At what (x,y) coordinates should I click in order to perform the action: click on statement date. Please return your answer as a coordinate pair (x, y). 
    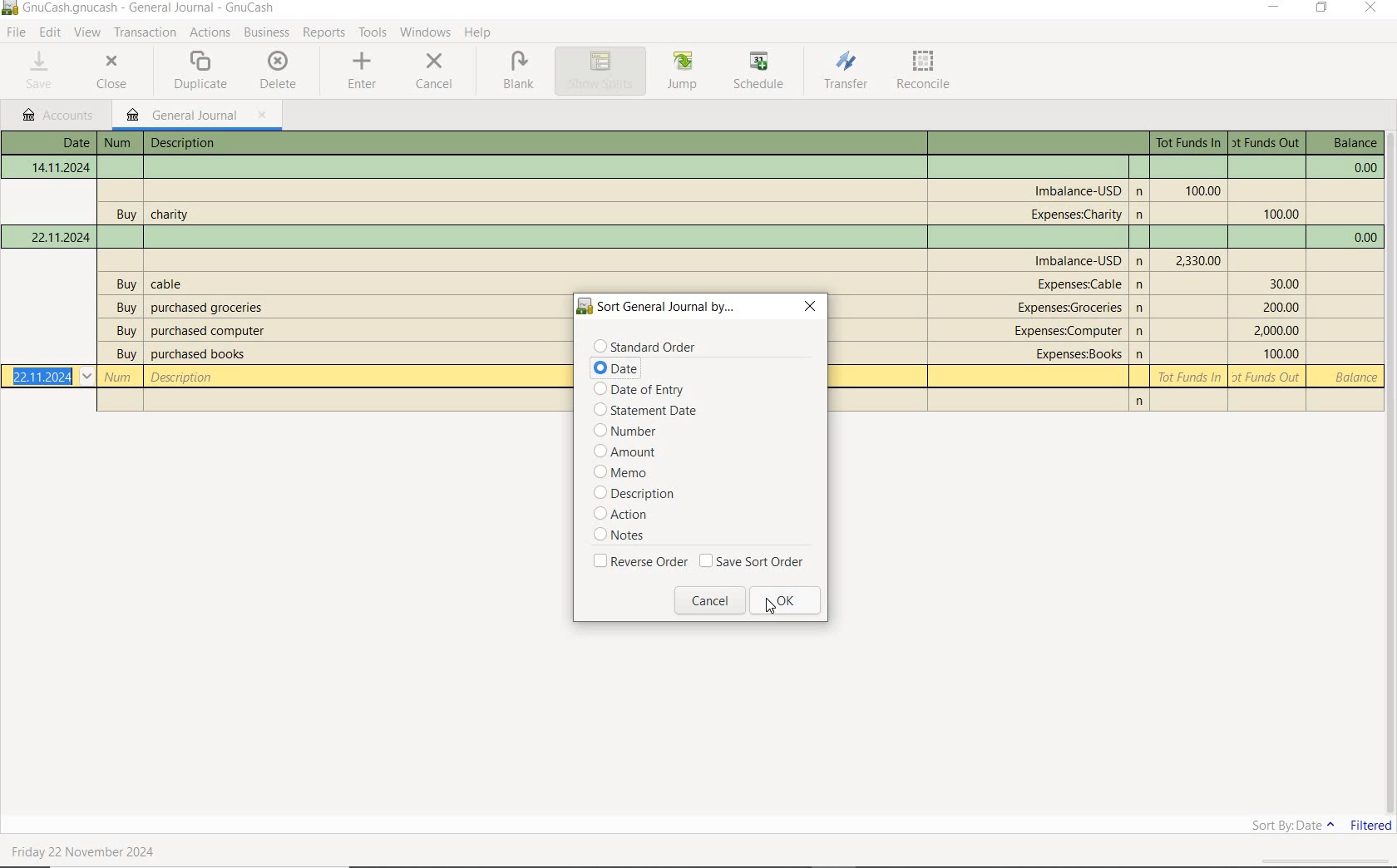
    Looking at the image, I should click on (640, 412).